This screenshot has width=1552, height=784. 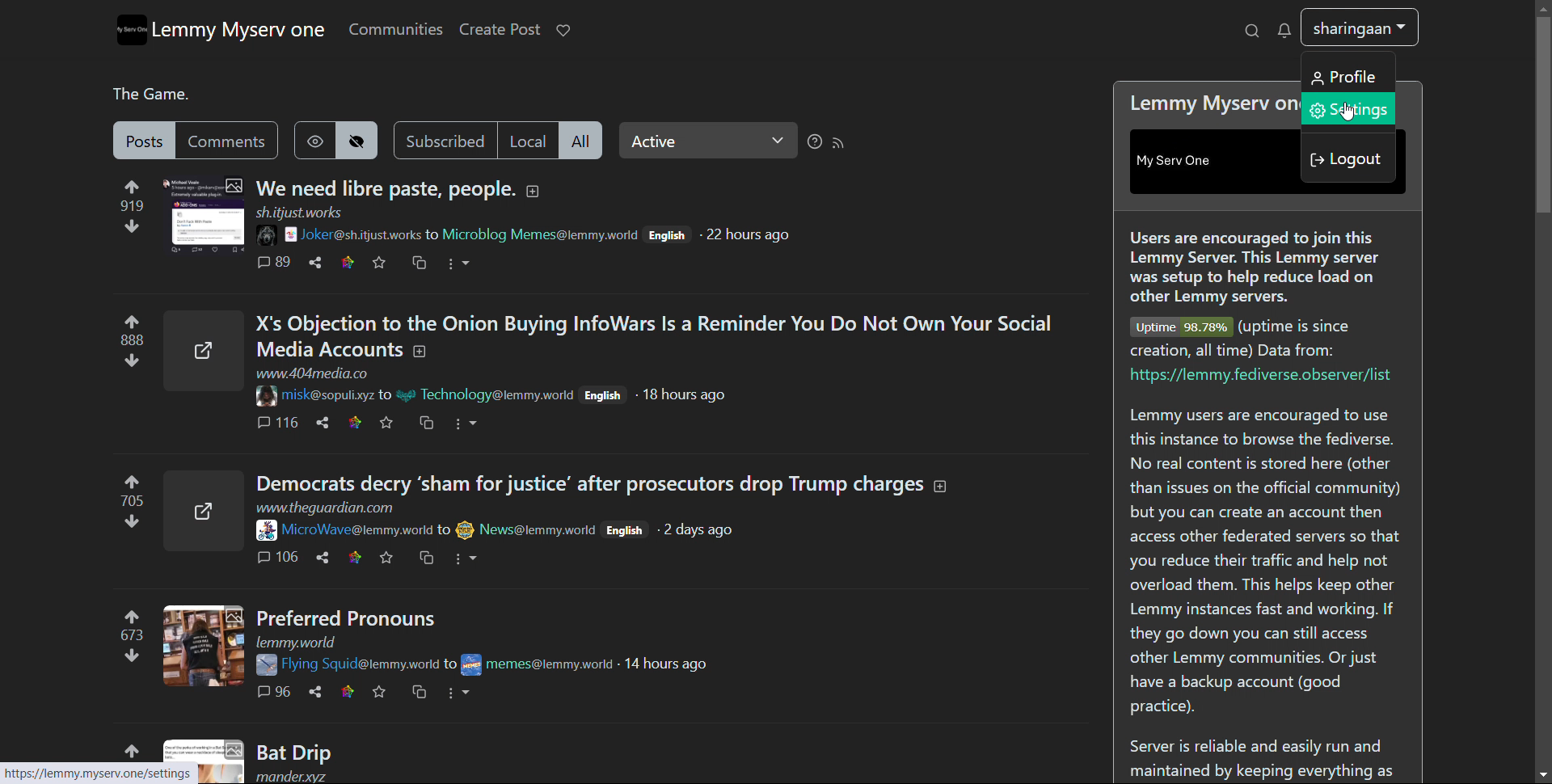 What do you see at coordinates (445, 529) in the screenshot?
I see `to` at bounding box center [445, 529].